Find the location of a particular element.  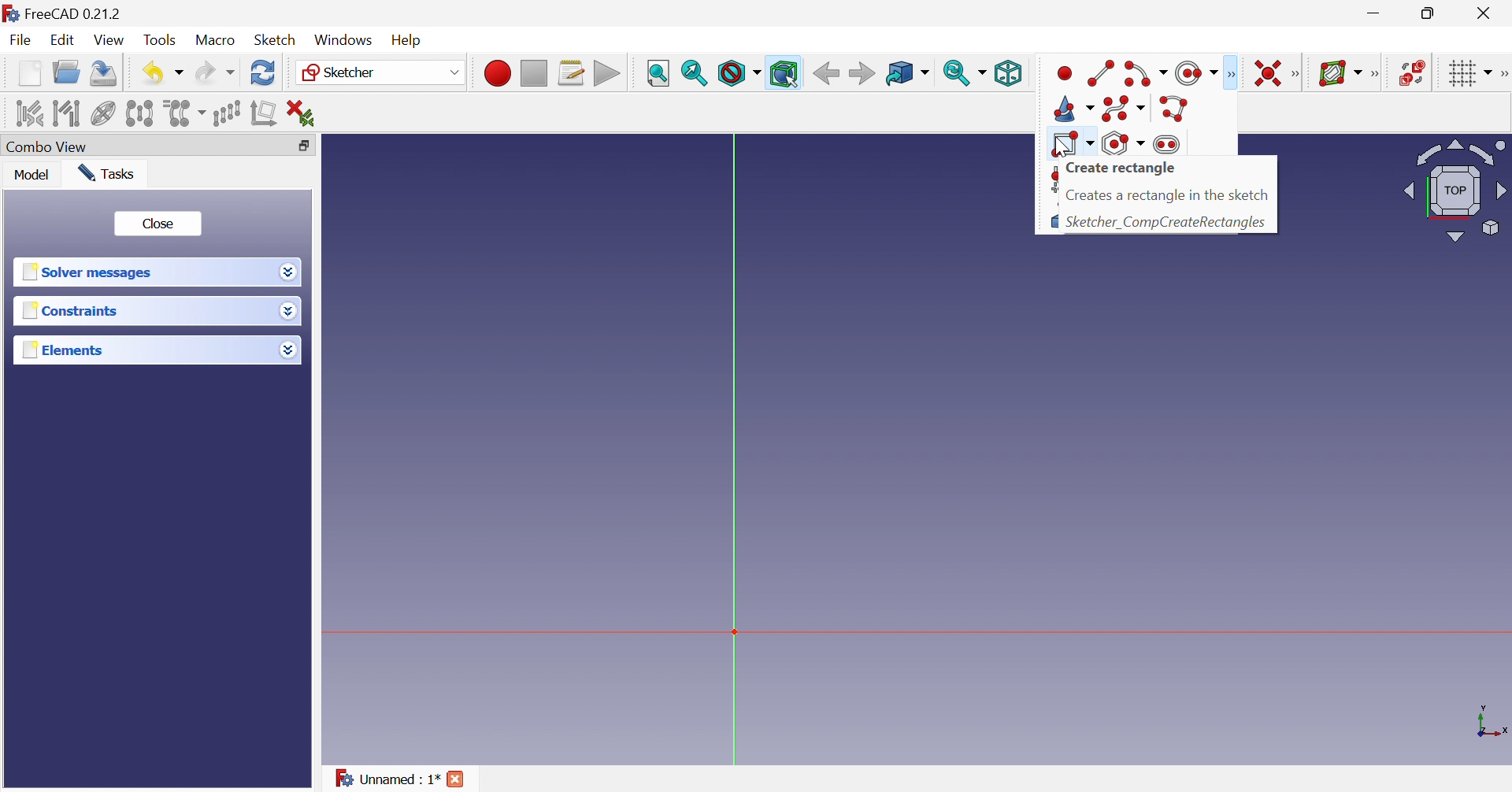

Clone is located at coordinates (183, 114).